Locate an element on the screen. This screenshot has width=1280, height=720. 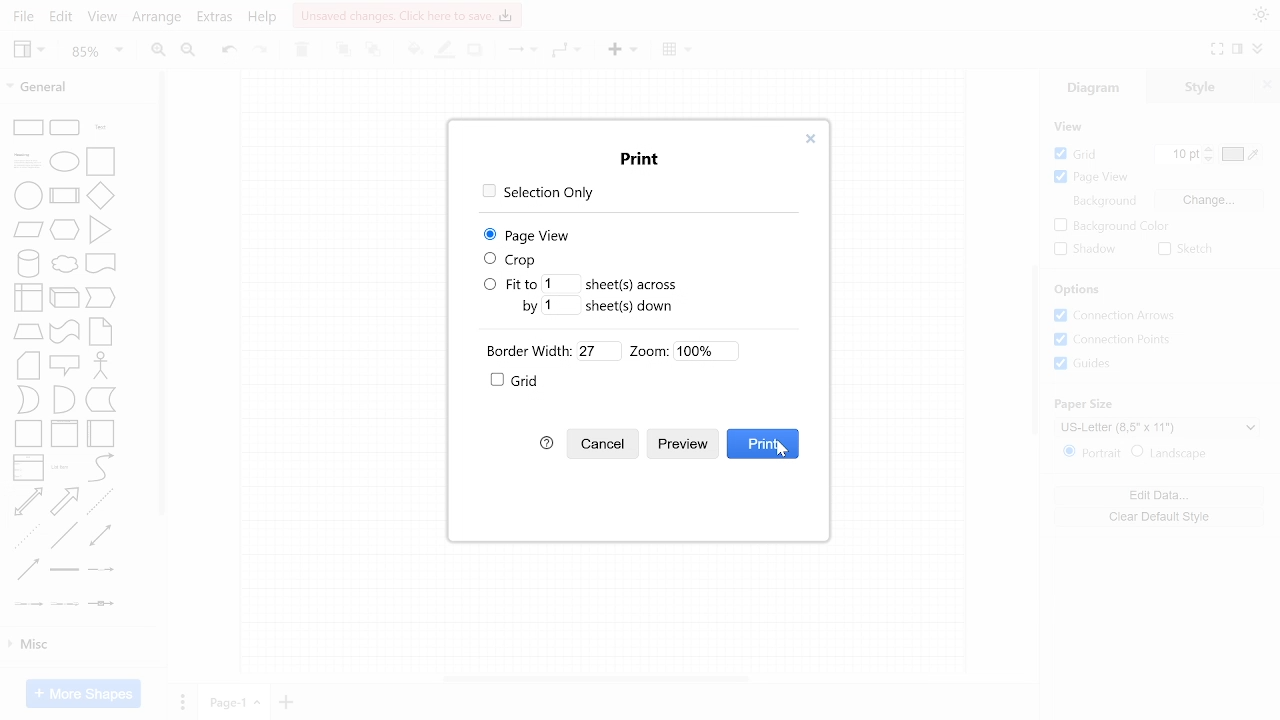
Shadow is located at coordinates (1085, 249).